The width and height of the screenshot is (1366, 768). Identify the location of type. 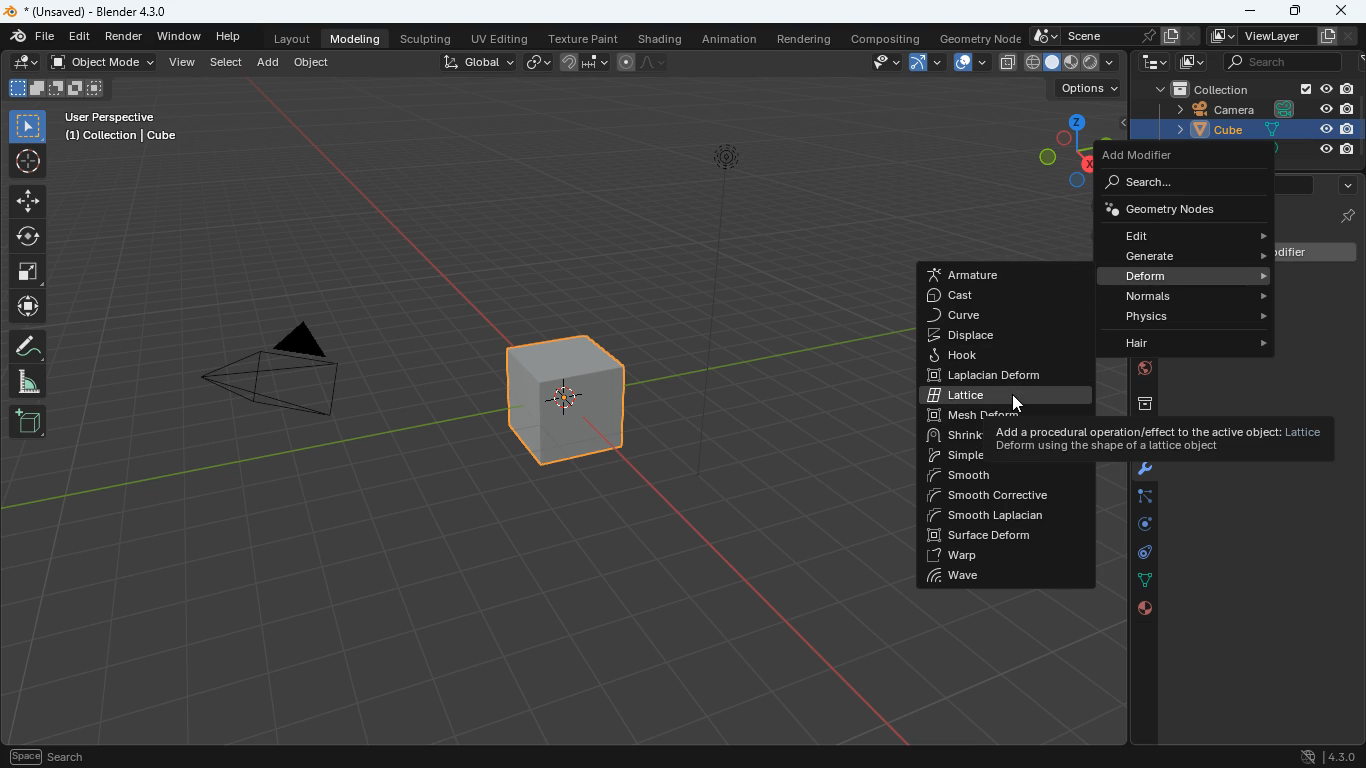
(1058, 63).